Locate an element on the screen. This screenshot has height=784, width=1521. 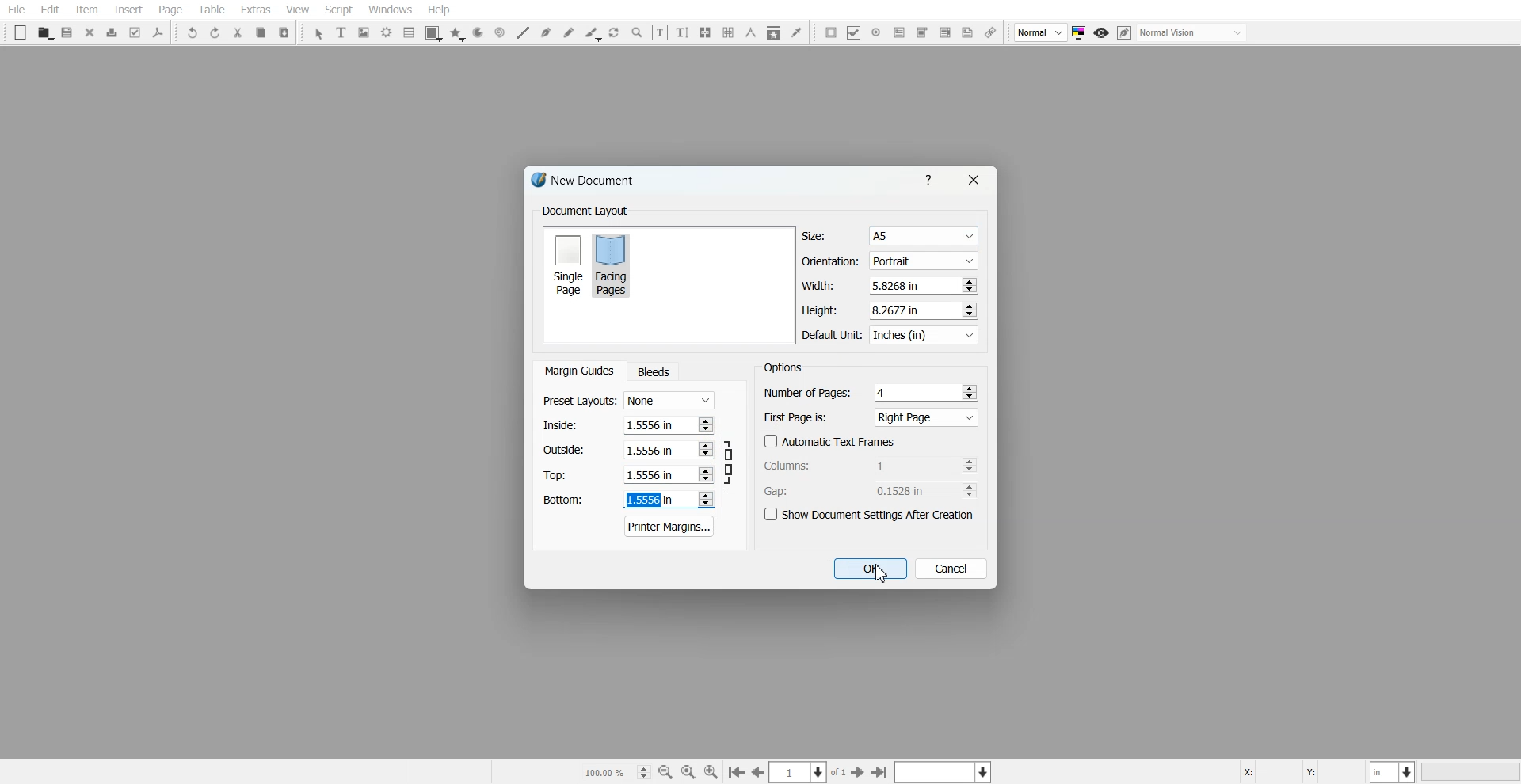
PDF Text Field is located at coordinates (899, 32).